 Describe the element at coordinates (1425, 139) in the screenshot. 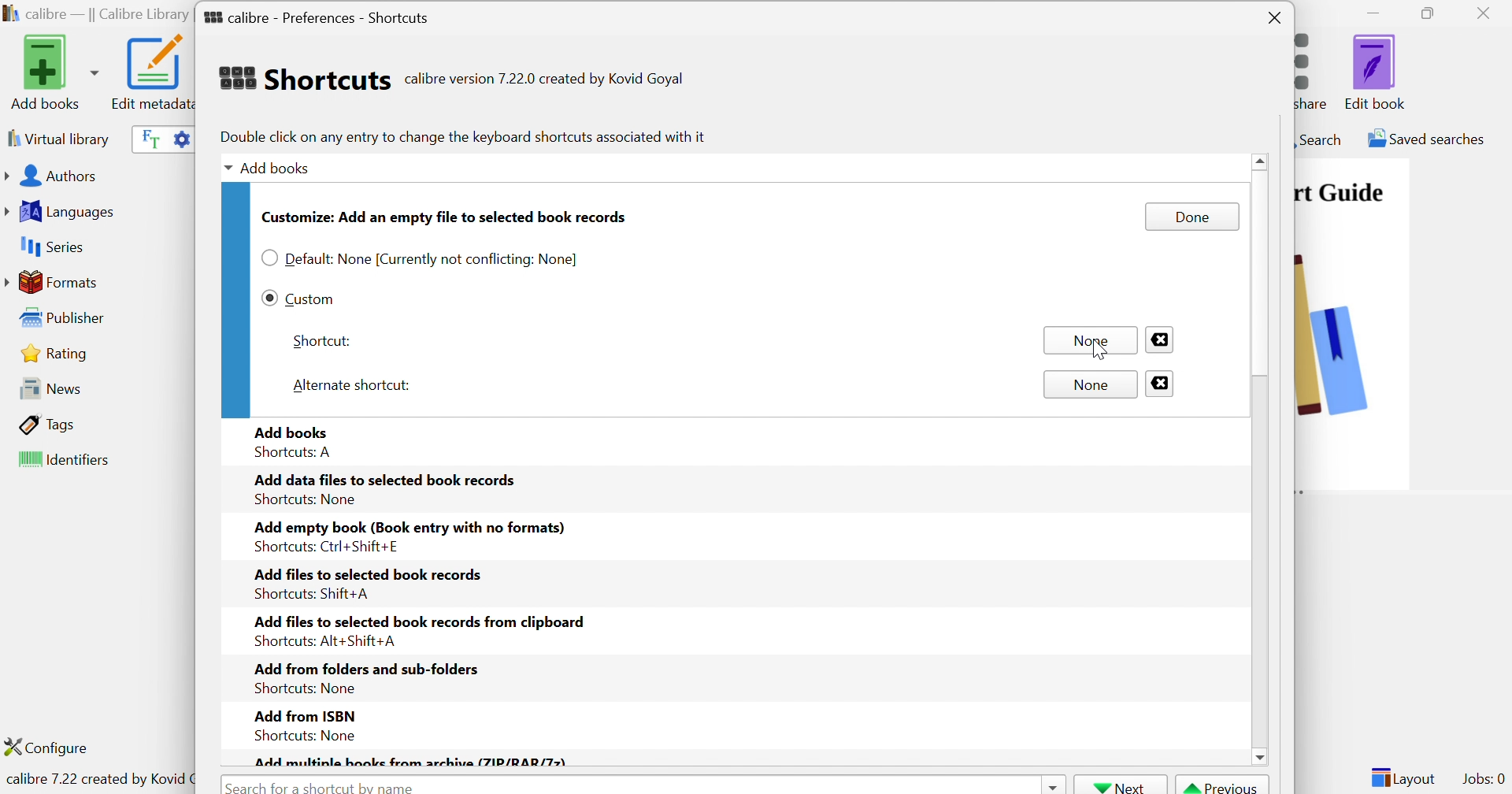

I see `Saved searches` at that location.